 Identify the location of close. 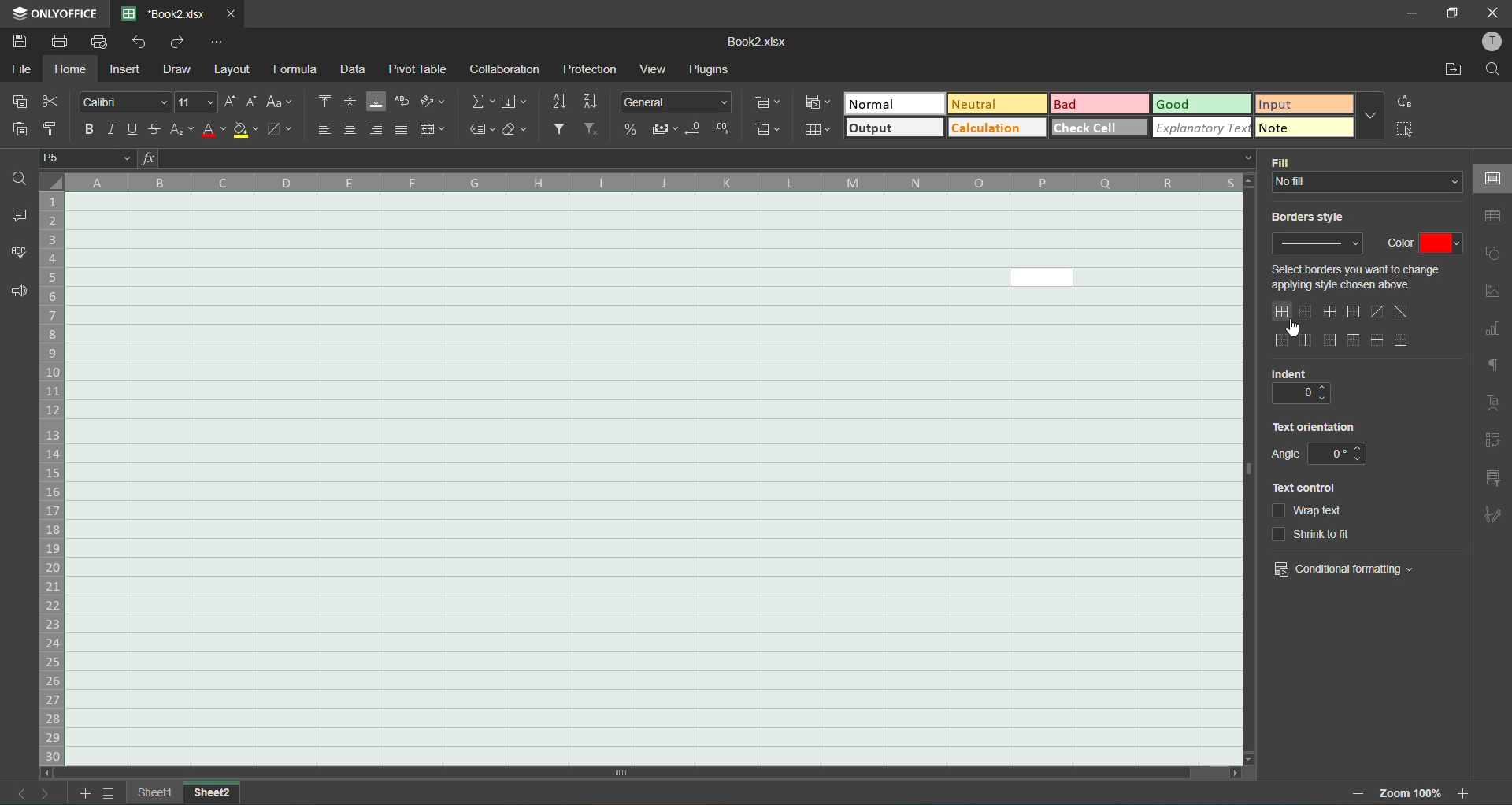
(1496, 12).